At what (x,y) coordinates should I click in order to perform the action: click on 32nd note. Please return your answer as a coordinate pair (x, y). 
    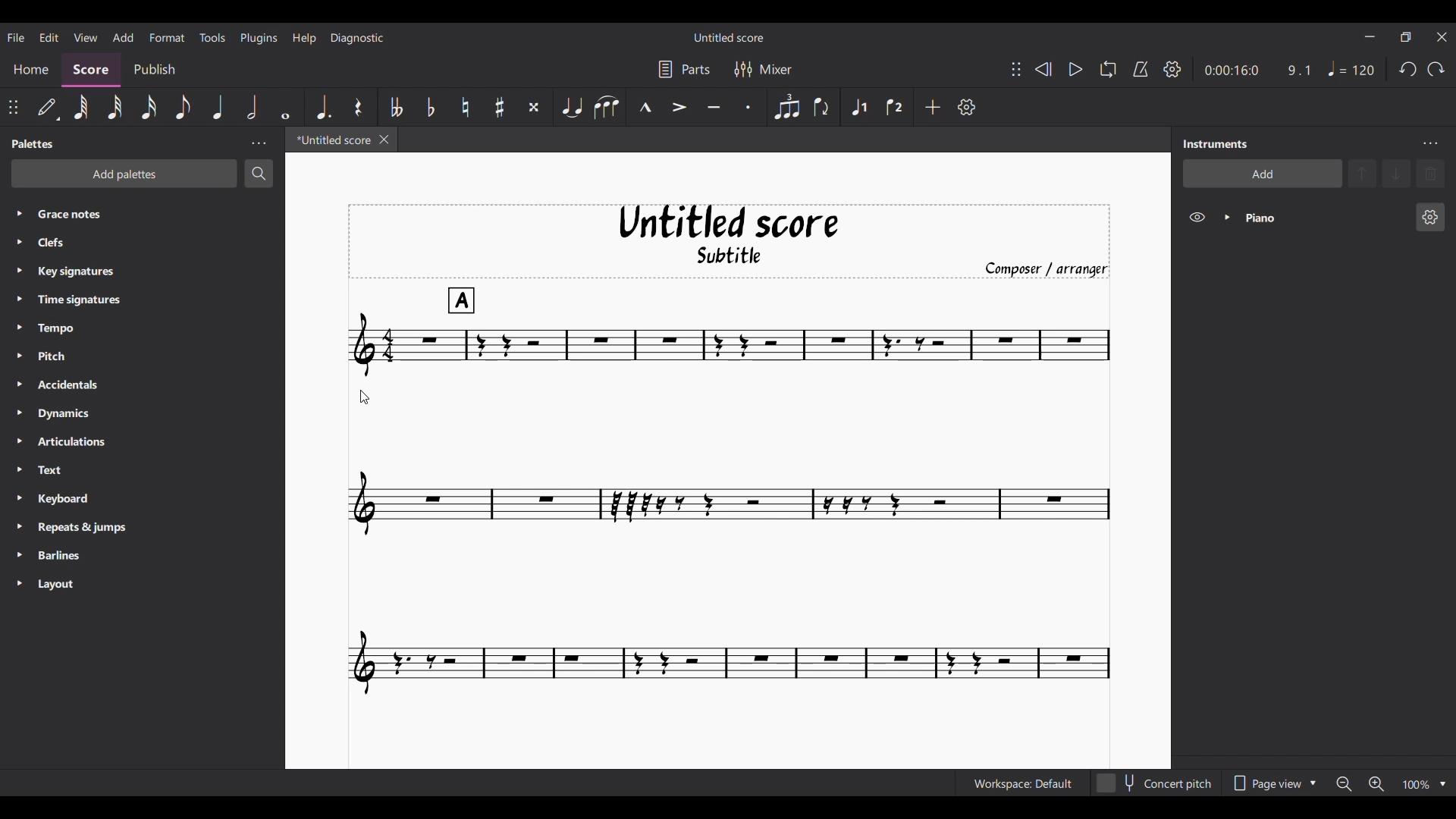
    Looking at the image, I should click on (113, 107).